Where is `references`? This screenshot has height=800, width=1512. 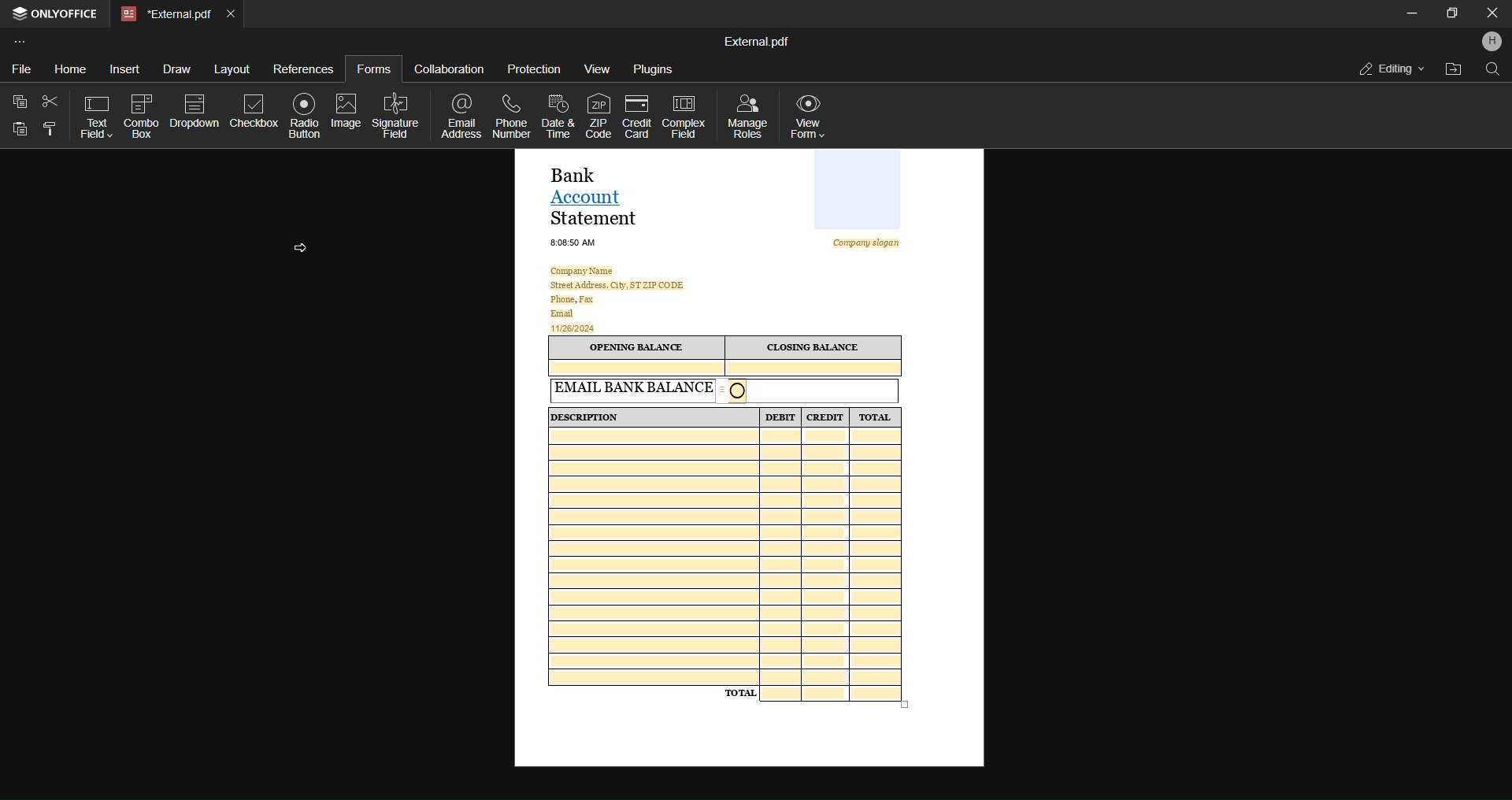 references is located at coordinates (301, 69).